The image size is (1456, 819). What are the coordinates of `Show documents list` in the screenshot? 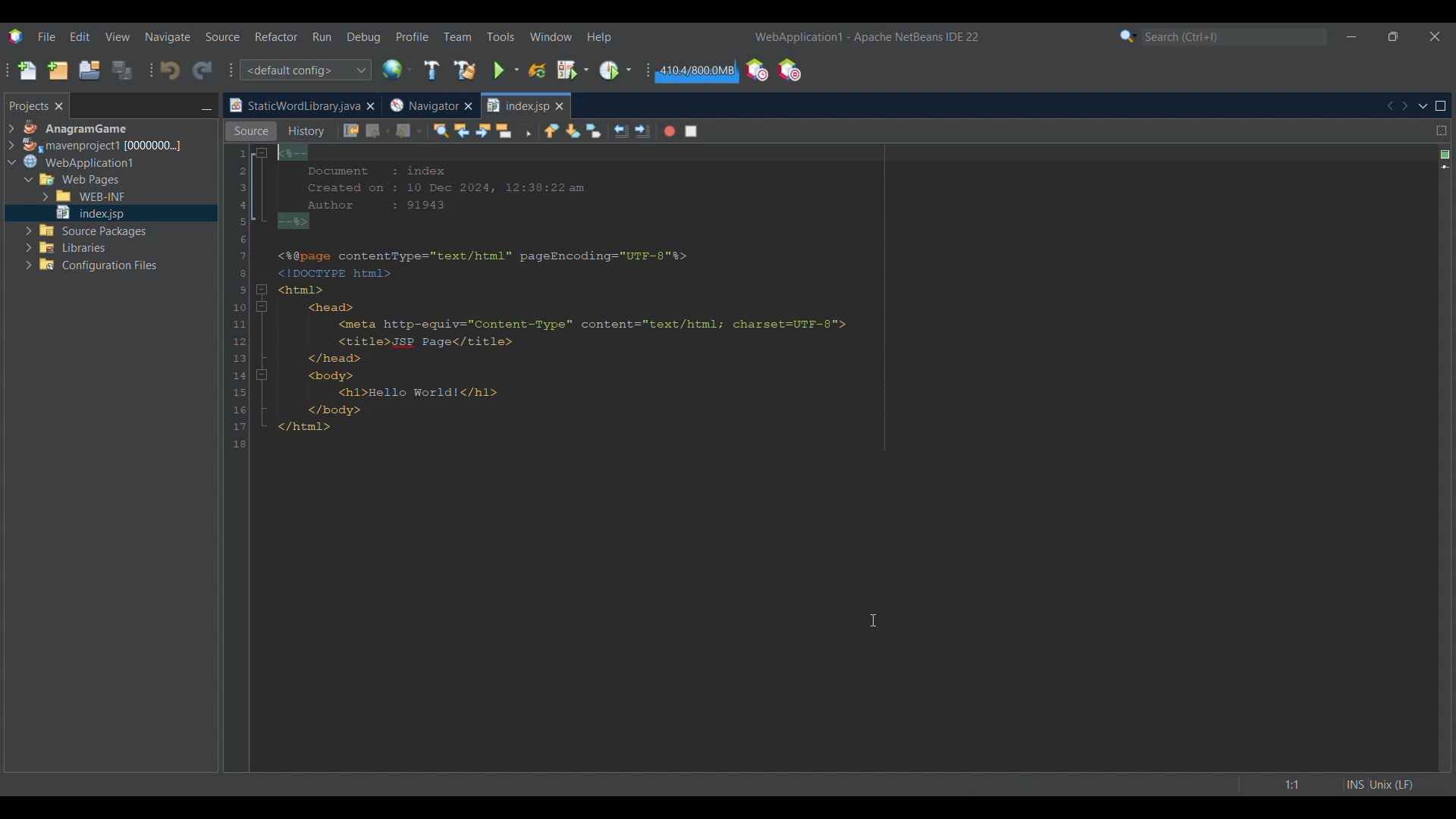 It's located at (1423, 105).